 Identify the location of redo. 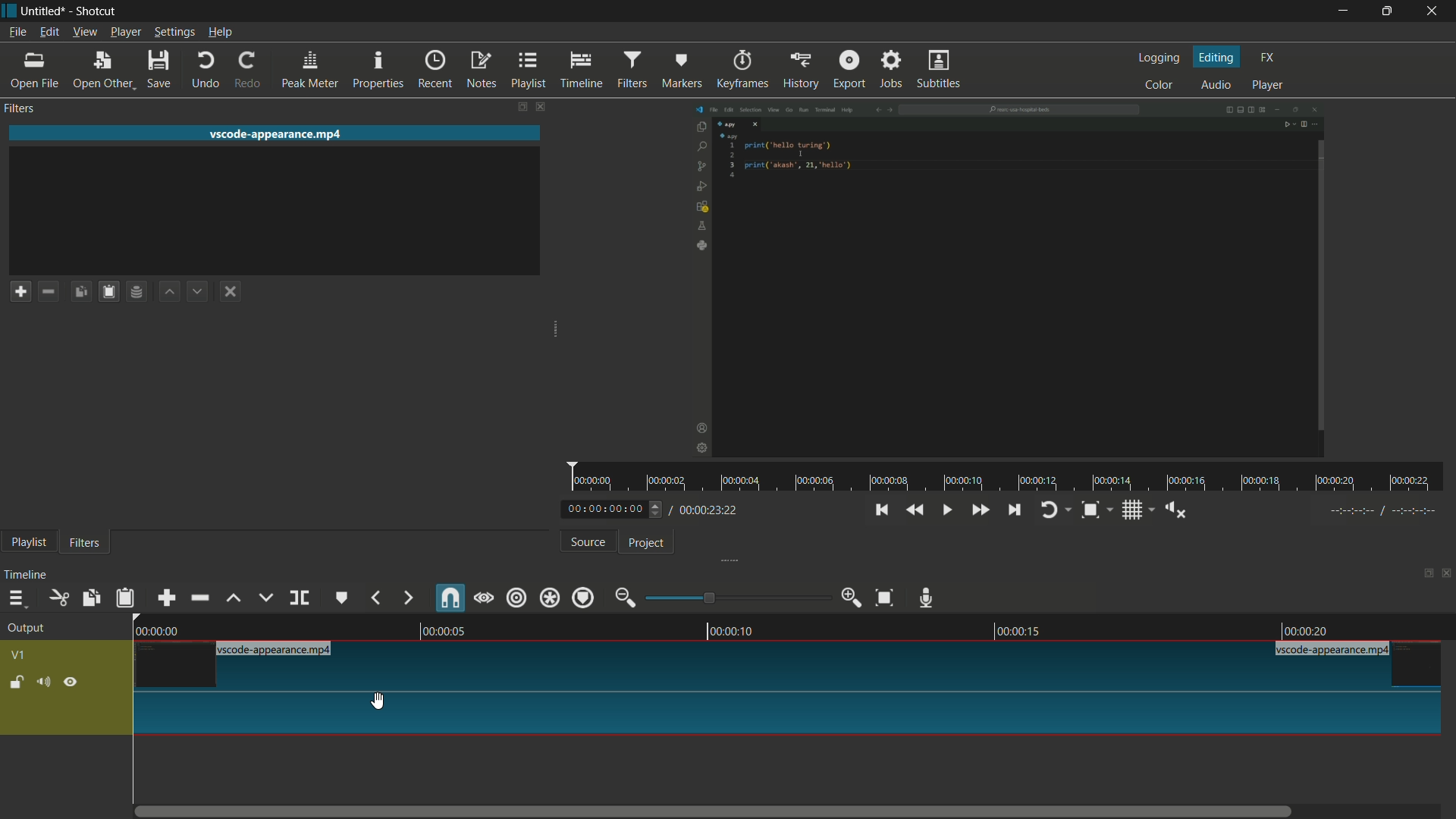
(247, 70).